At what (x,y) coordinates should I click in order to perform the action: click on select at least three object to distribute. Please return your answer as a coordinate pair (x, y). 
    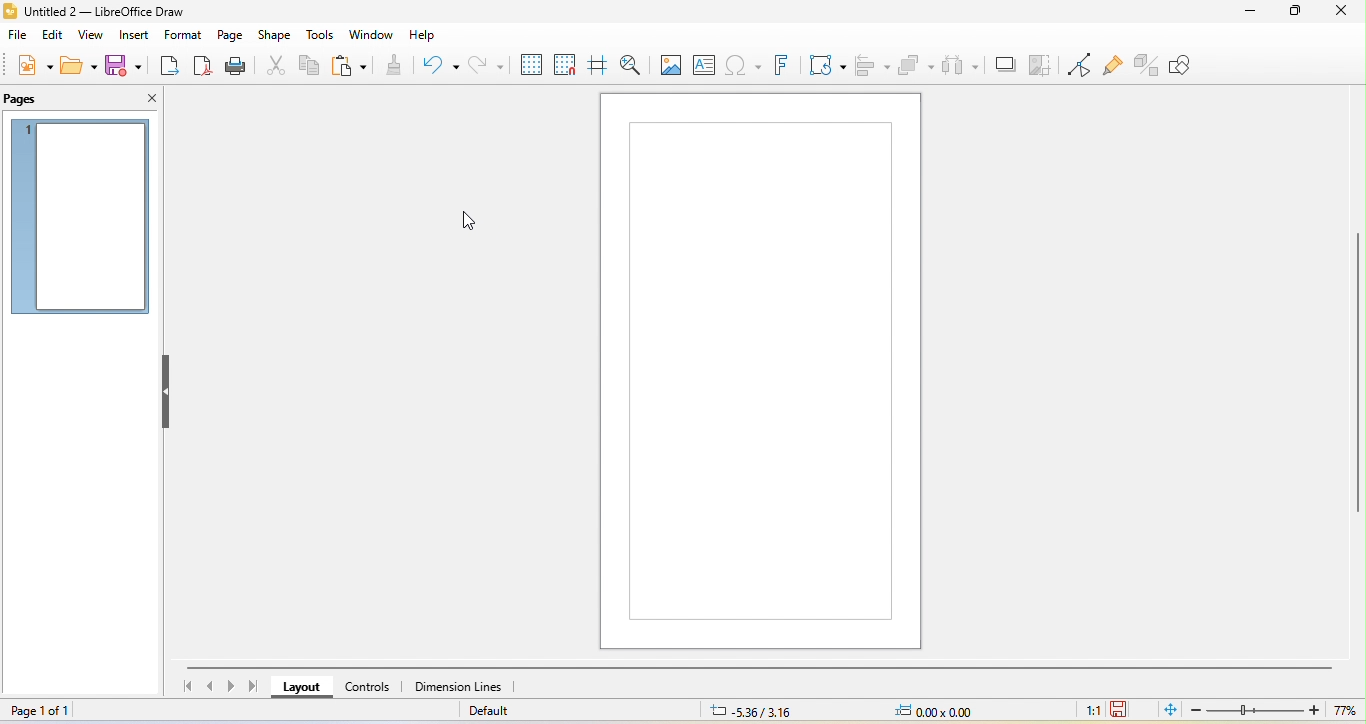
    Looking at the image, I should click on (963, 65).